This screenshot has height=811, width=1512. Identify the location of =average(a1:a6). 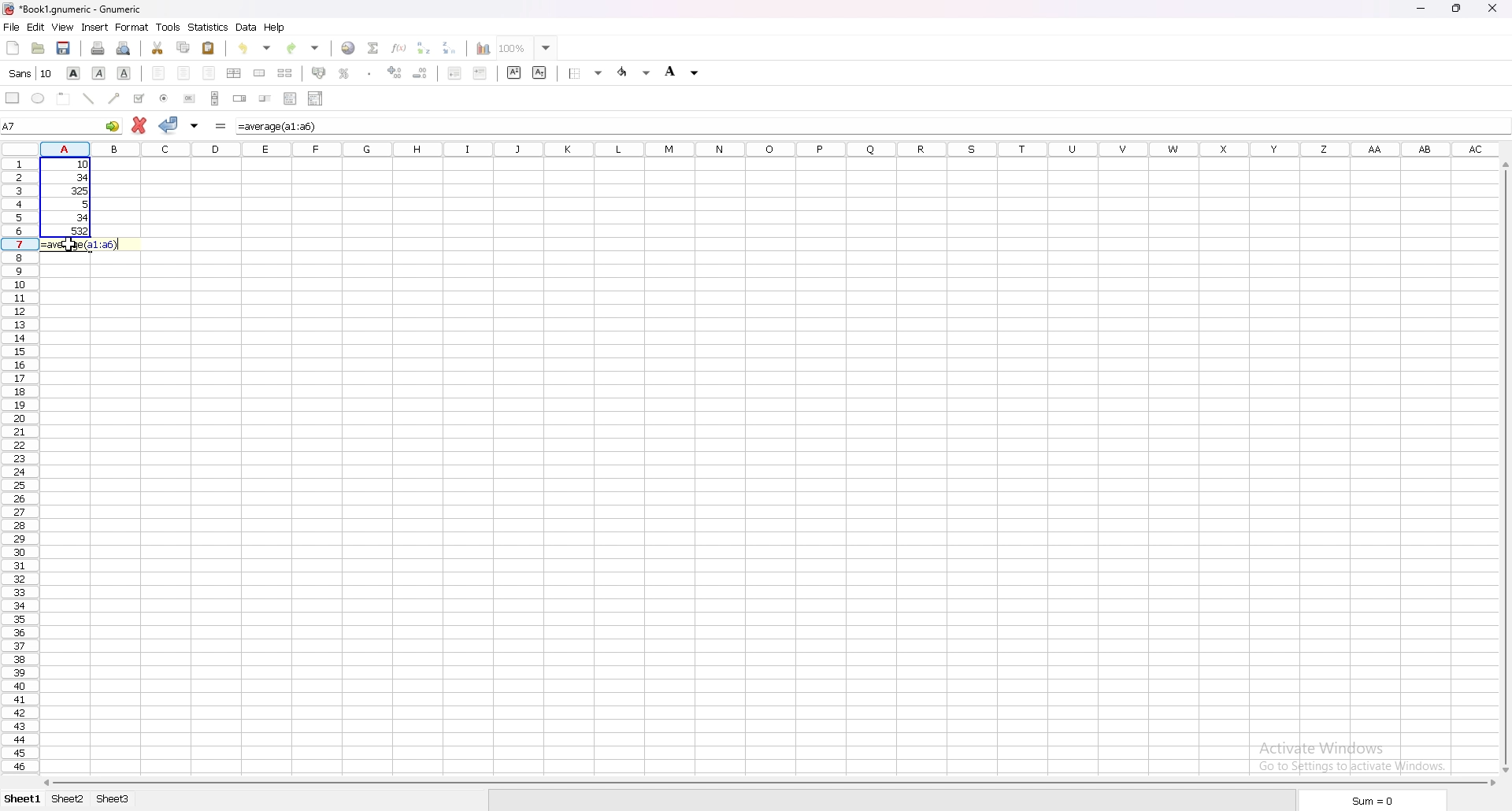
(80, 244).